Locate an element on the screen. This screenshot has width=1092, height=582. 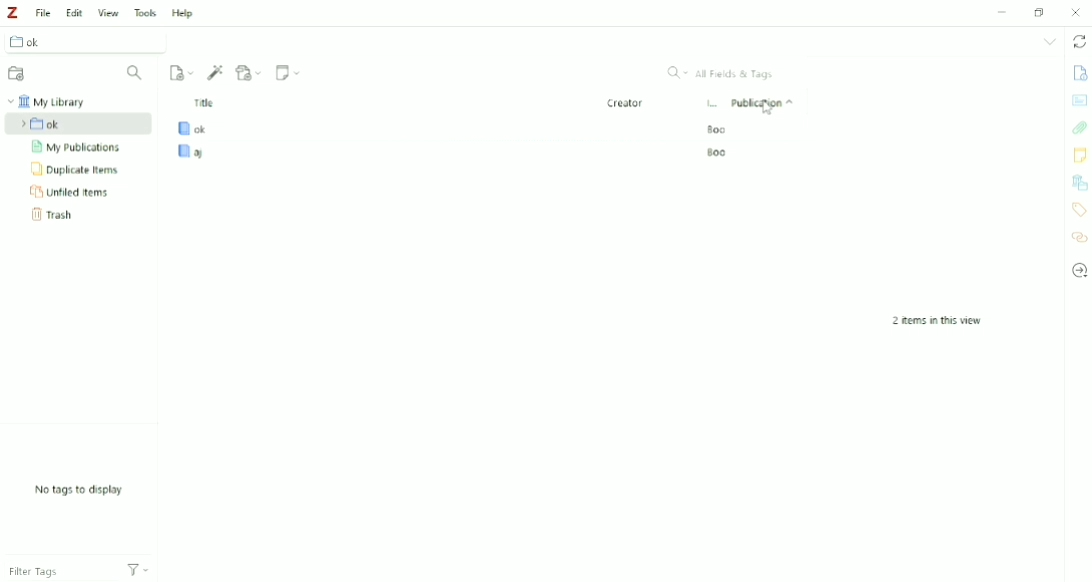
List all tabs is located at coordinates (1049, 42).